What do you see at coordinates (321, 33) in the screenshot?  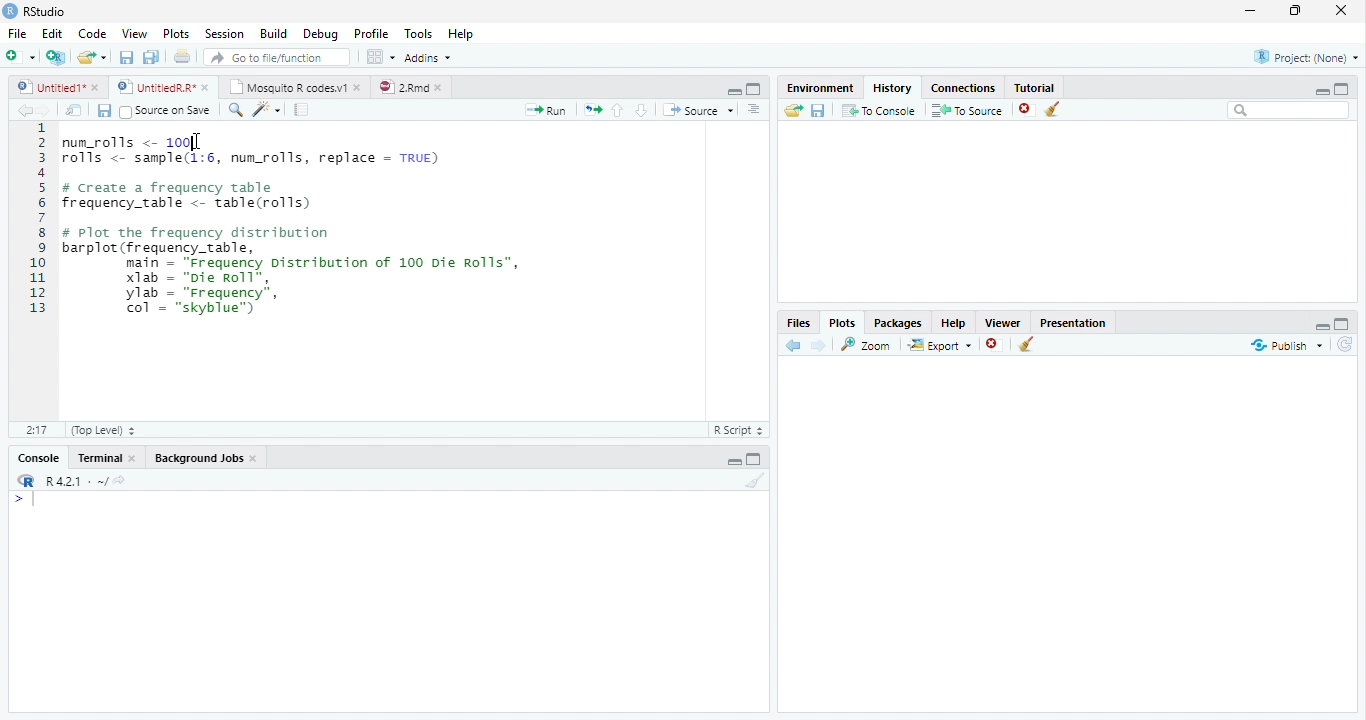 I see `Debug` at bounding box center [321, 33].